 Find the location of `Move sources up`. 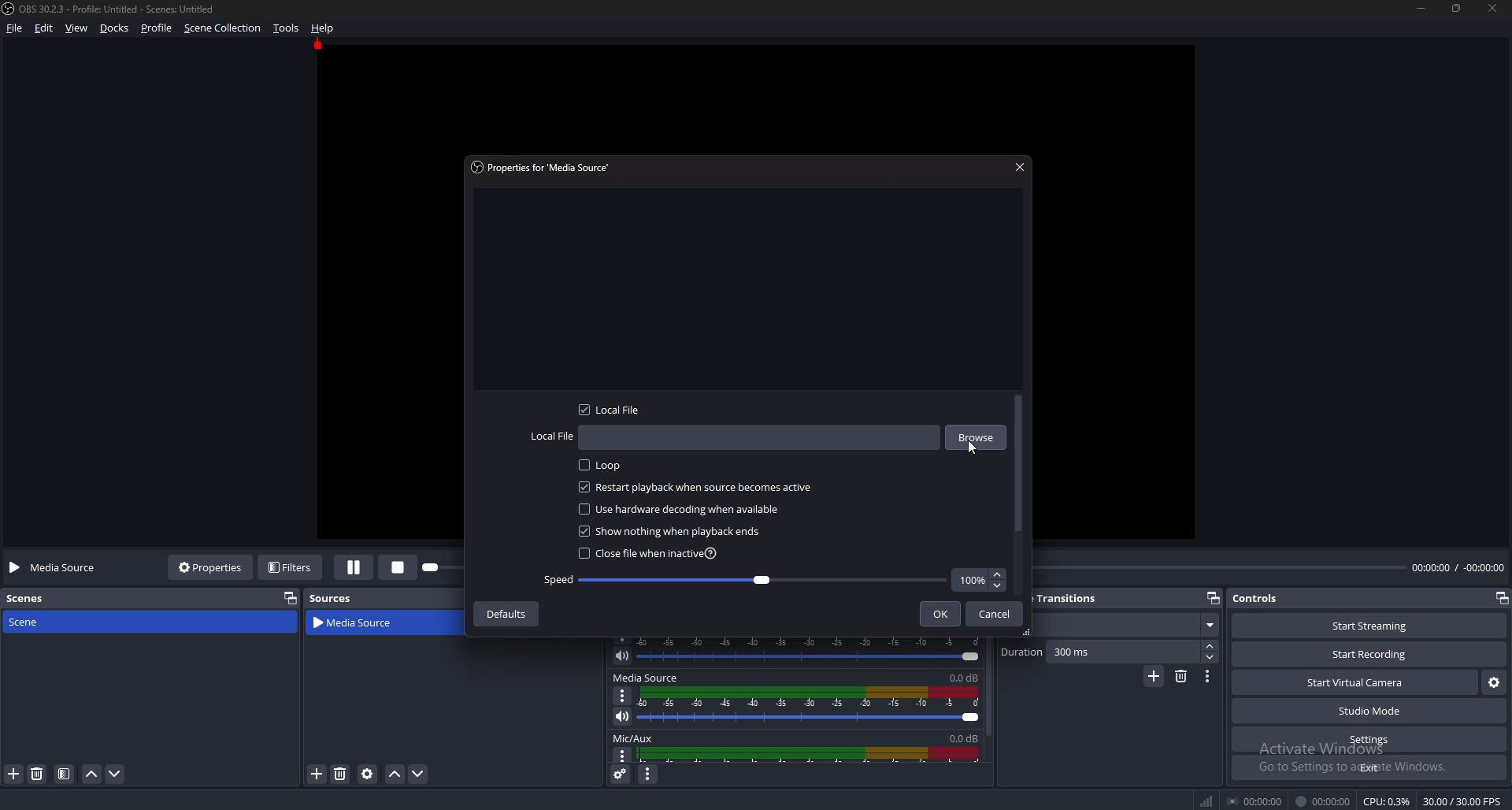

Move sources up is located at coordinates (395, 775).